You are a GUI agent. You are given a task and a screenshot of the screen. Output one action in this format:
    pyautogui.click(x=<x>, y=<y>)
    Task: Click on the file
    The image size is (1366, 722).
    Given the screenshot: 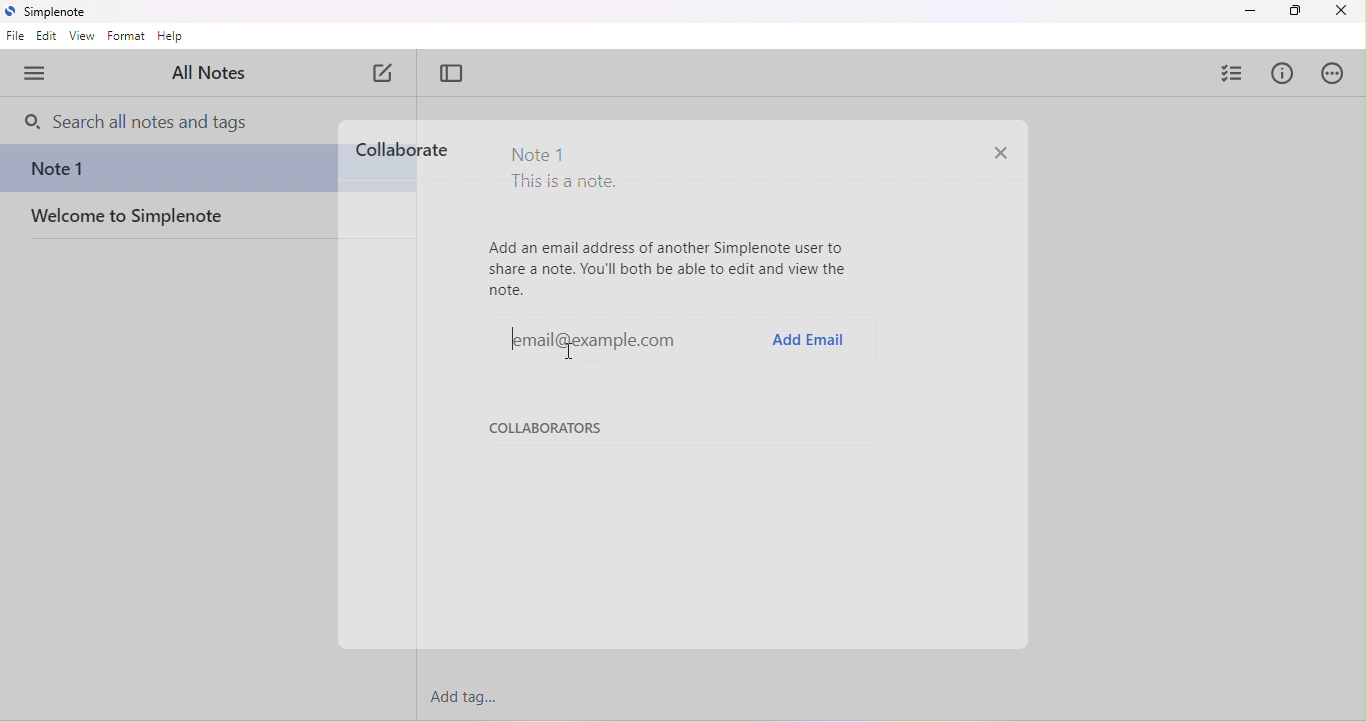 What is the action you would take?
    pyautogui.click(x=15, y=37)
    